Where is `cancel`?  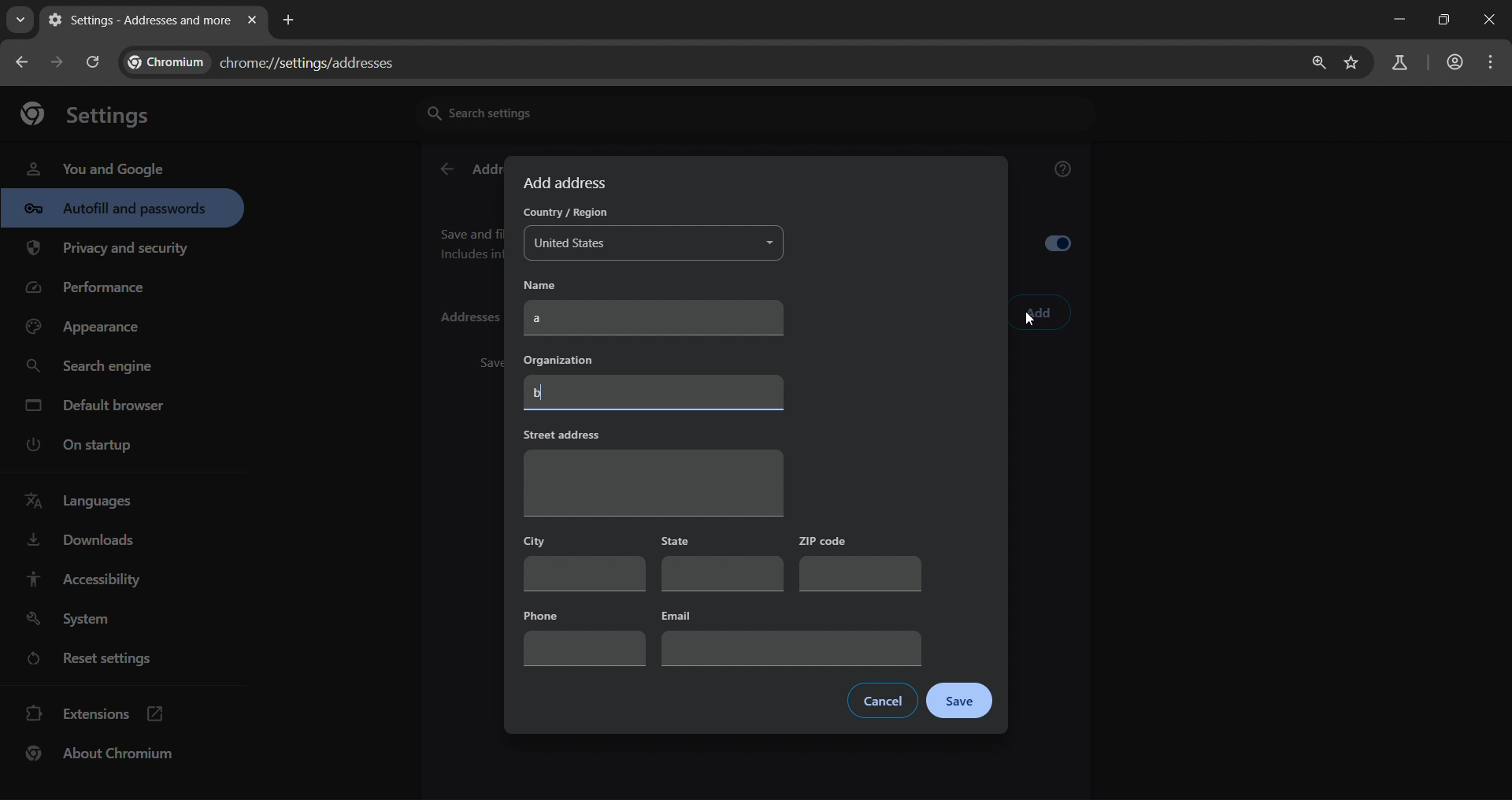 cancel is located at coordinates (884, 700).